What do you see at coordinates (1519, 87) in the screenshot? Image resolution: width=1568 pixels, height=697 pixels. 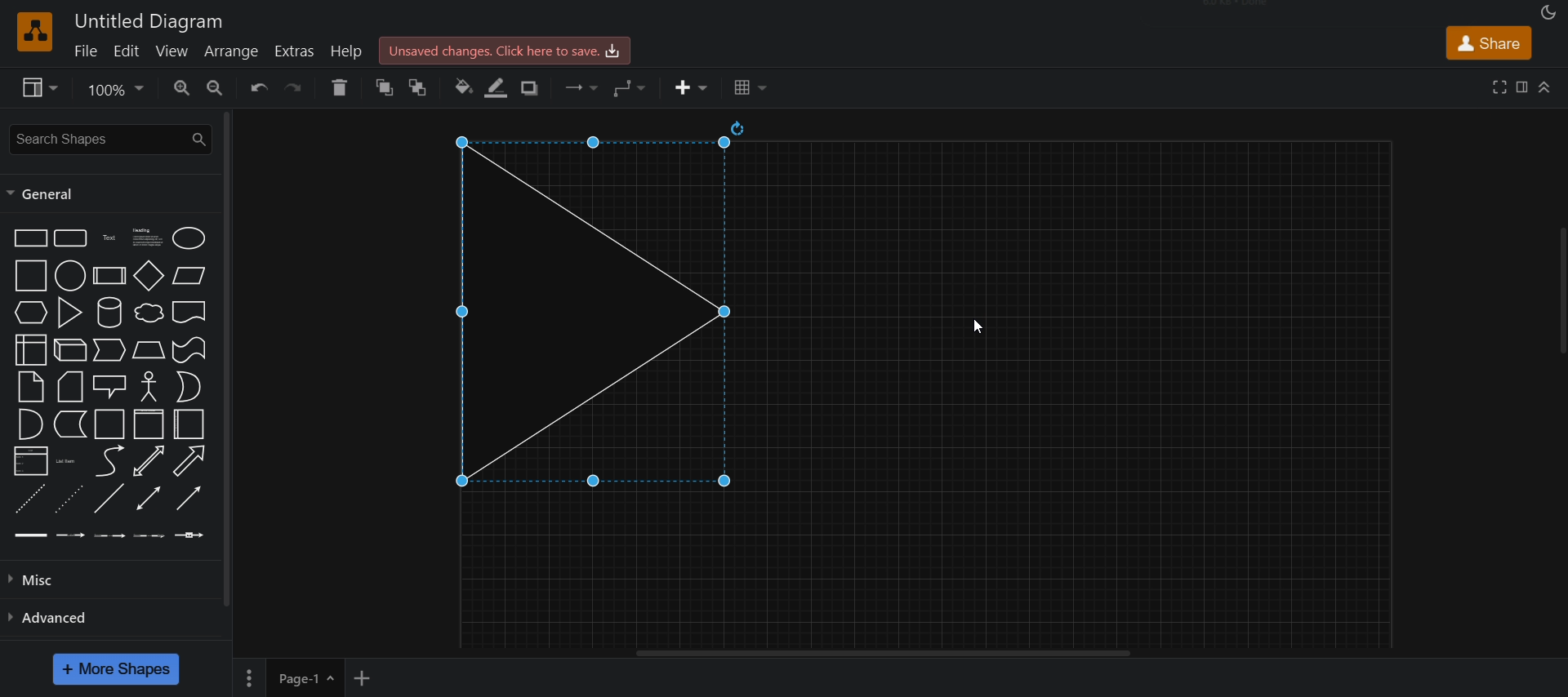 I see `format` at bounding box center [1519, 87].